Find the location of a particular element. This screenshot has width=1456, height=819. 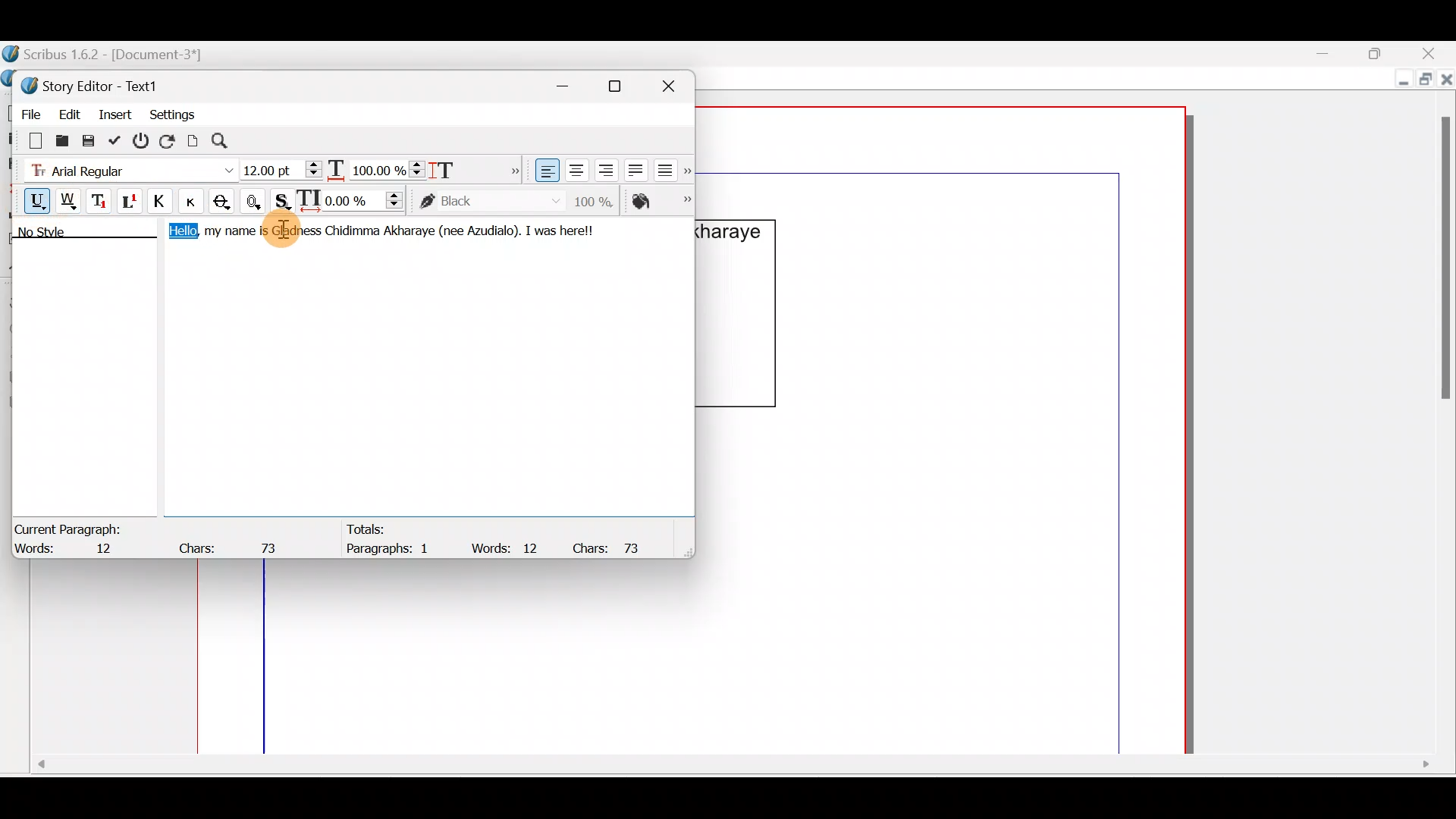

Scaling width of characters is located at coordinates (376, 167).